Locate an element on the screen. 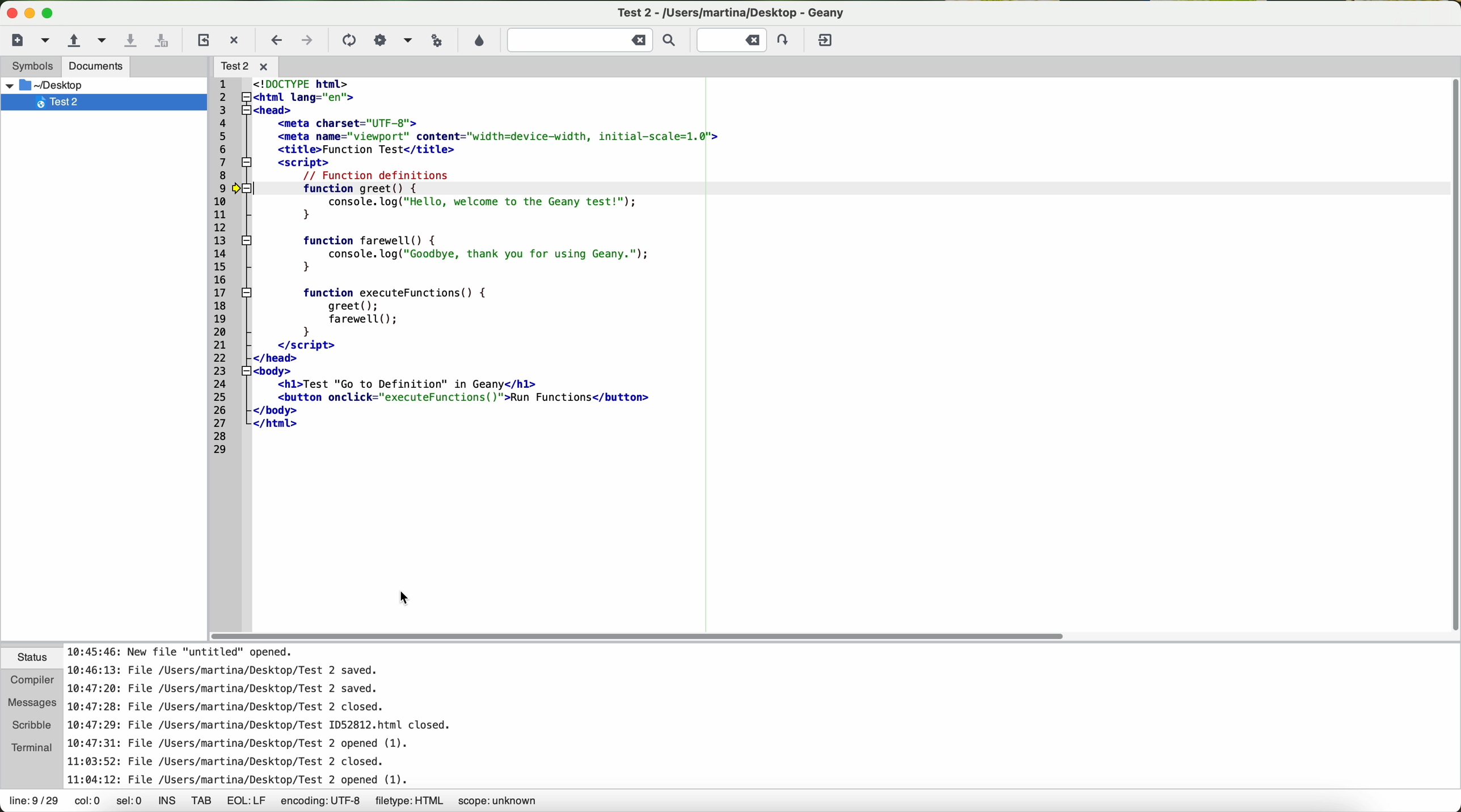 Image resolution: width=1461 pixels, height=812 pixels. terminal is located at coordinates (30, 747).